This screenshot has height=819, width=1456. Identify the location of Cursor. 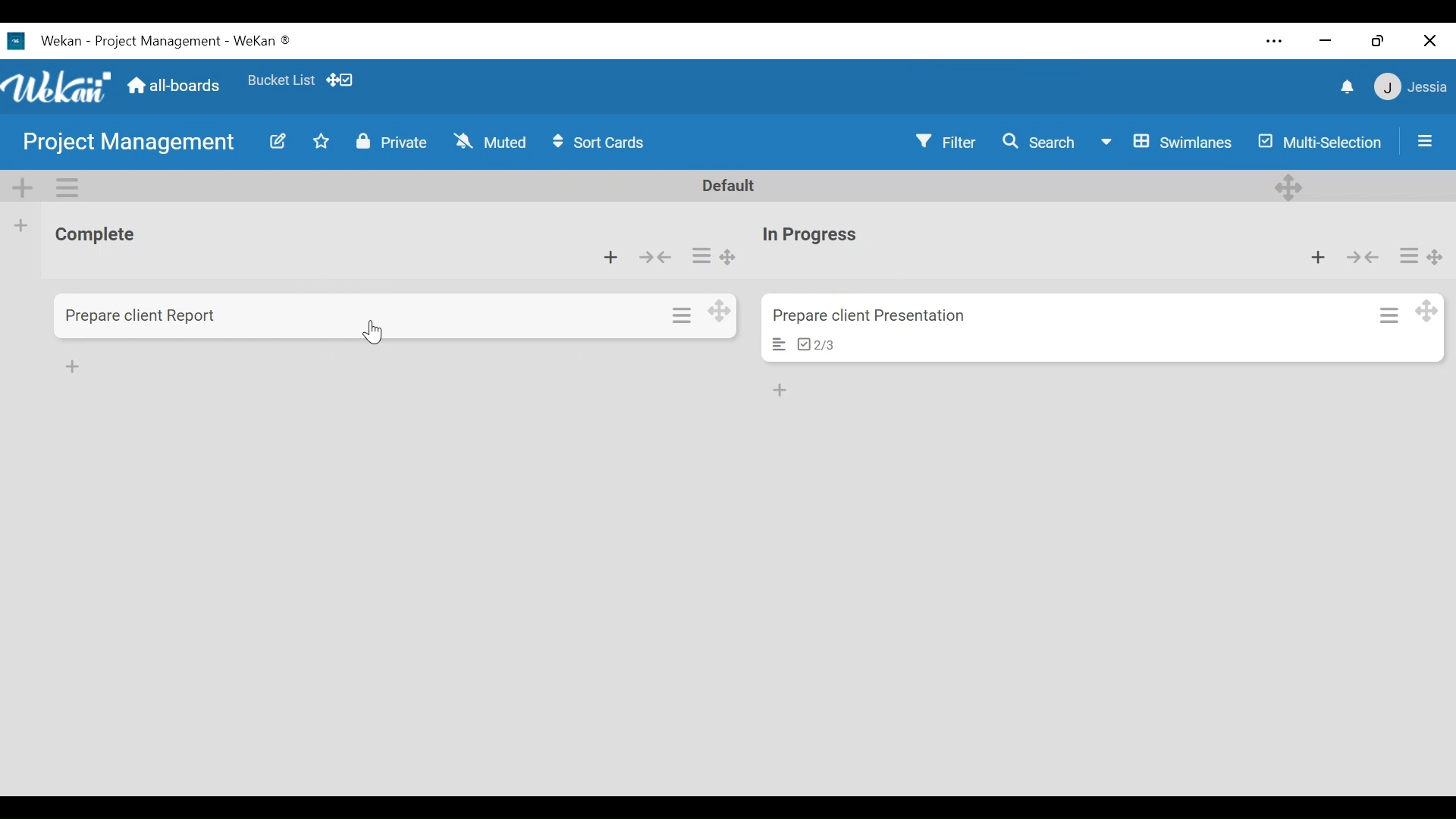
(378, 334).